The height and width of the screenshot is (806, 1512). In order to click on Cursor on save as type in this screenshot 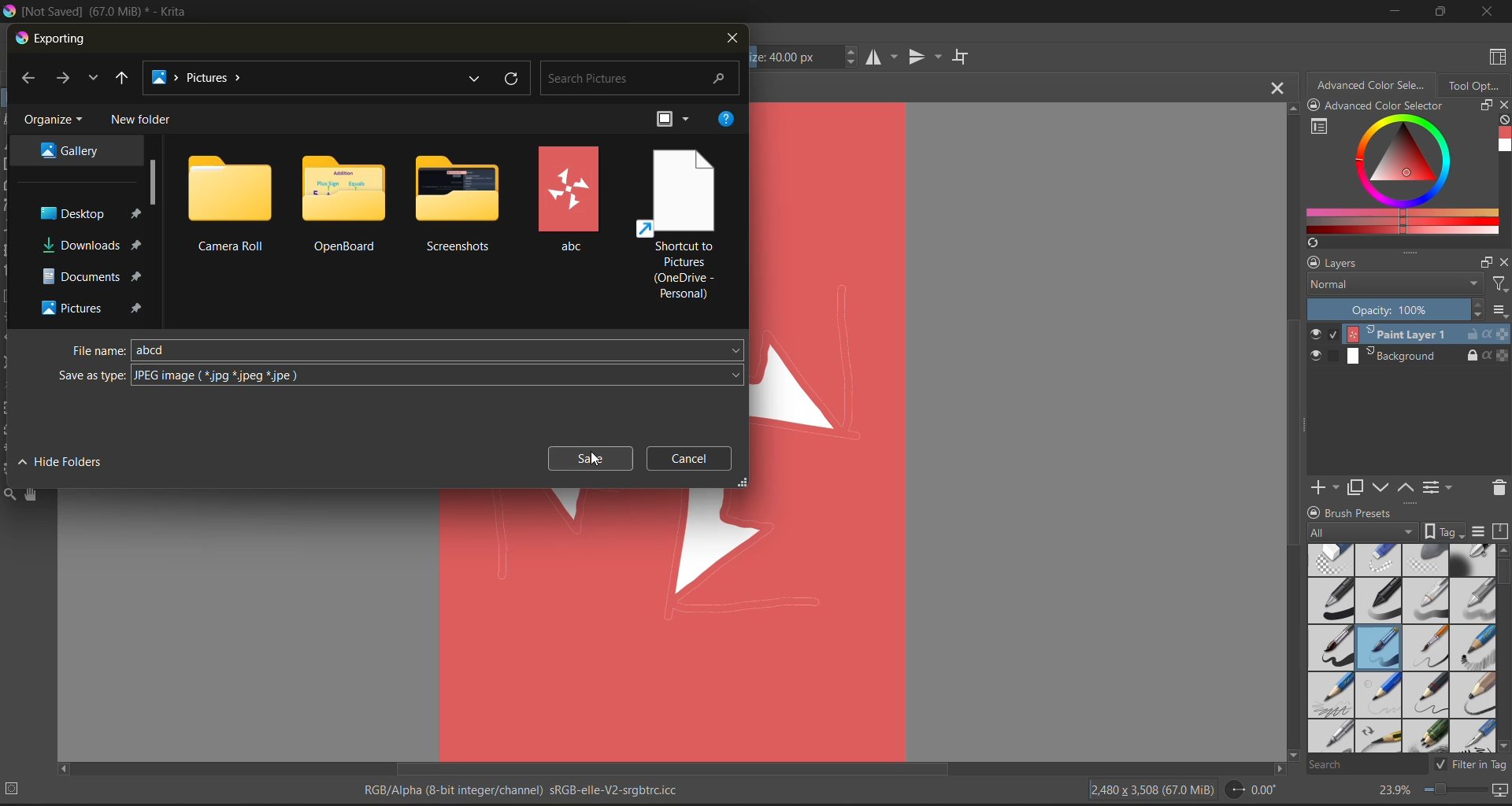, I will do `click(400, 375)`.